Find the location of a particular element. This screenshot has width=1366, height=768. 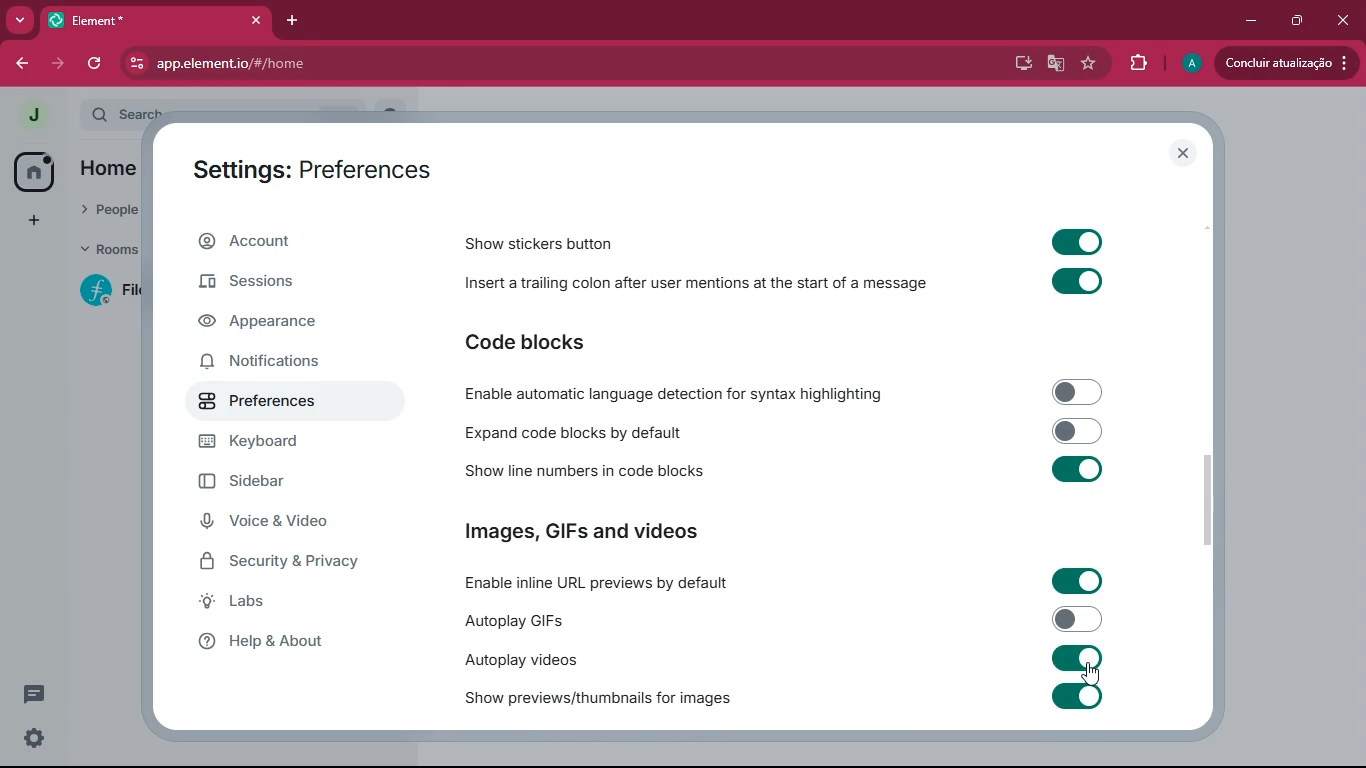

security is located at coordinates (296, 566).